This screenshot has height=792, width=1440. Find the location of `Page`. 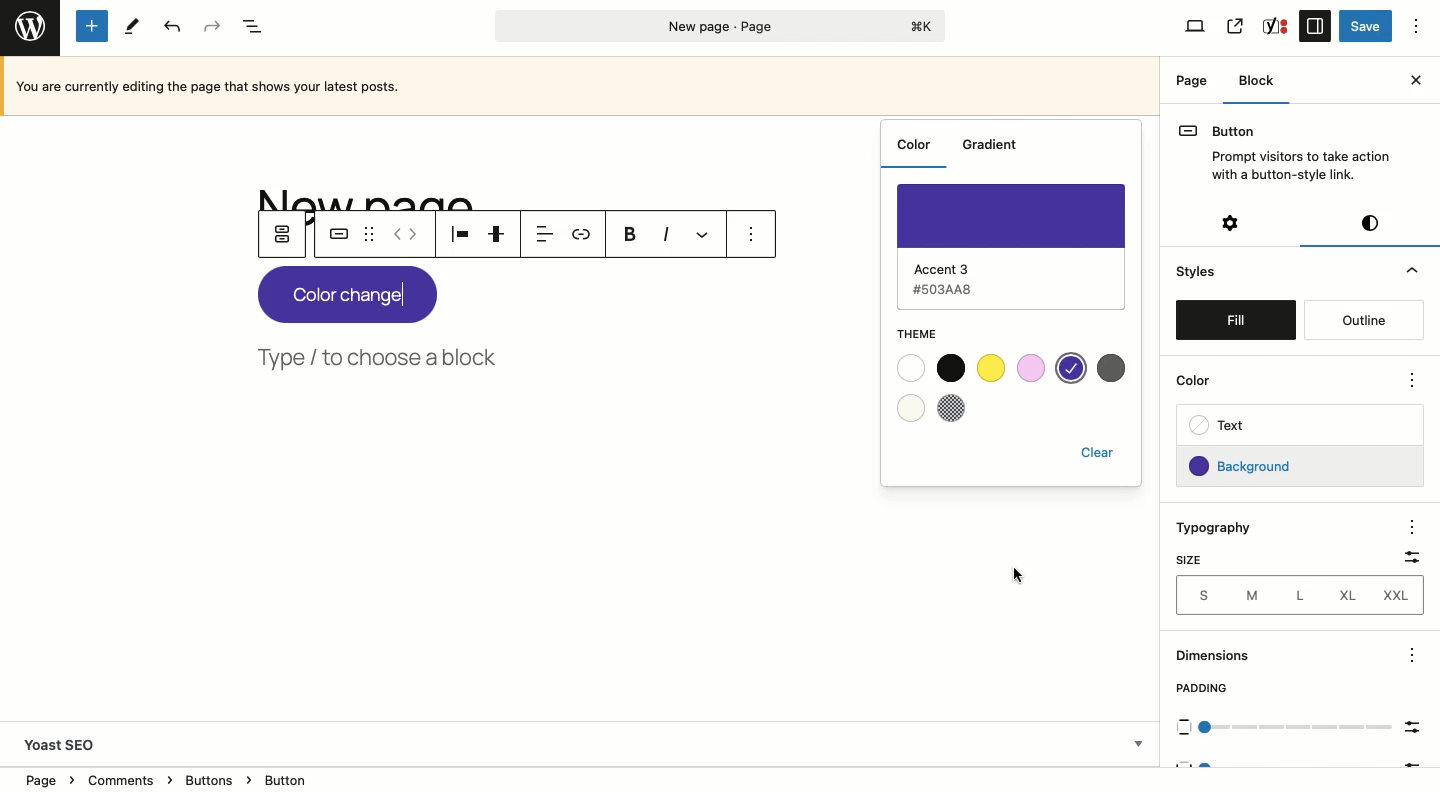

Page is located at coordinates (1192, 80).